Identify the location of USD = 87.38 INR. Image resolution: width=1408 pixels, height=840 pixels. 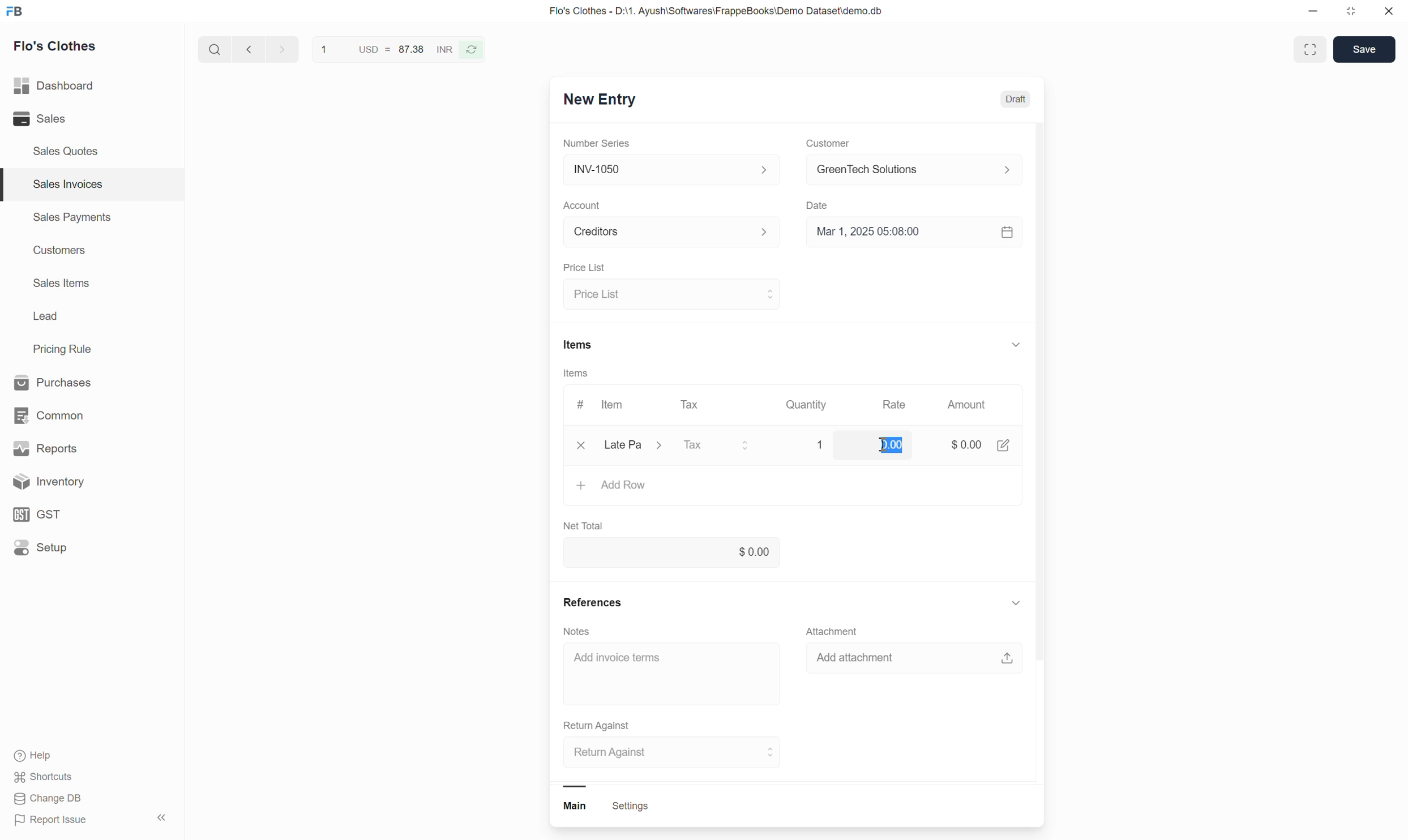
(382, 51).